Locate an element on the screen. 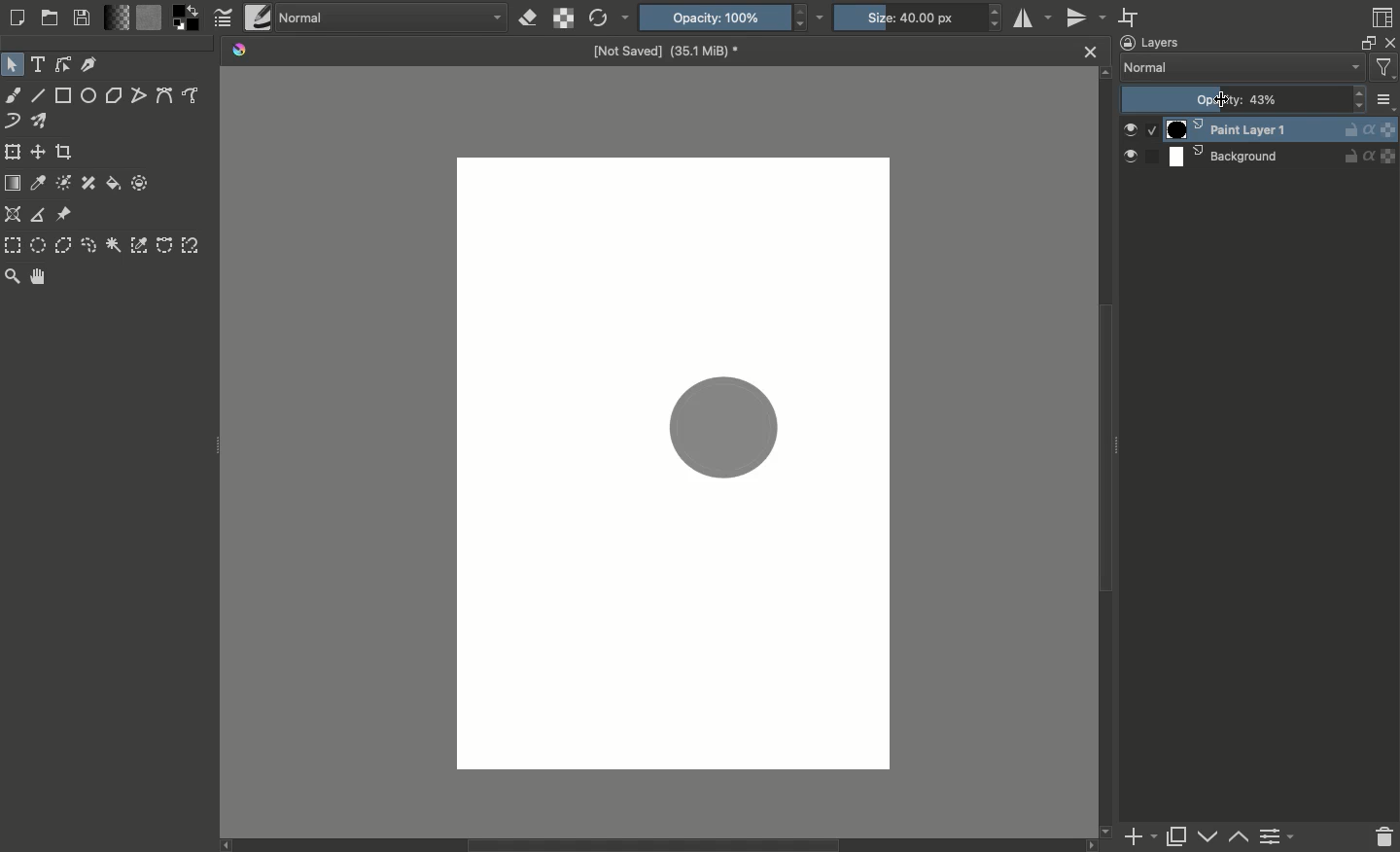 Image resolution: width=1400 pixels, height=852 pixels. Elliptical selection tool is located at coordinates (39, 243).